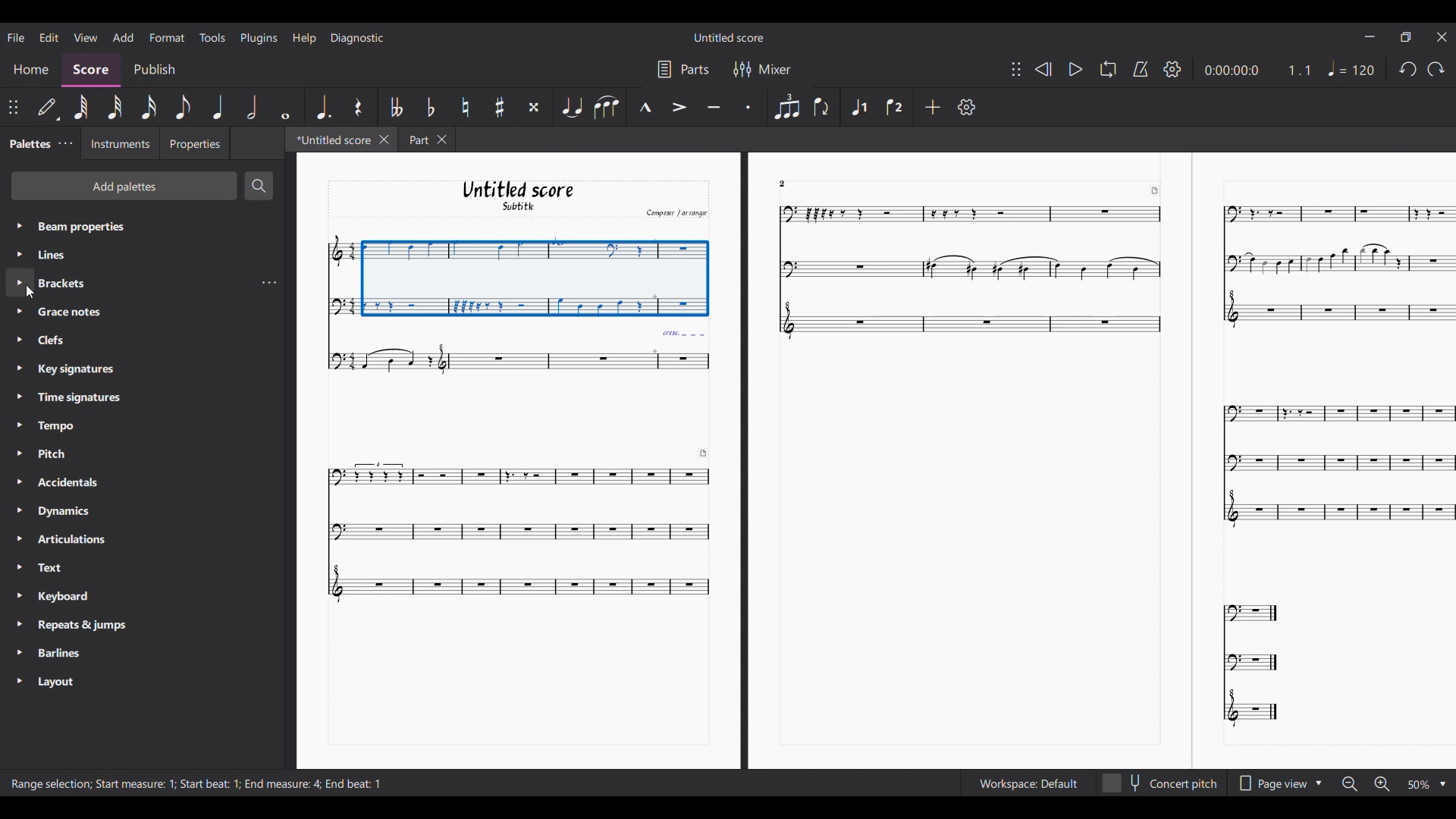  What do you see at coordinates (18, 457) in the screenshot?
I see `` at bounding box center [18, 457].